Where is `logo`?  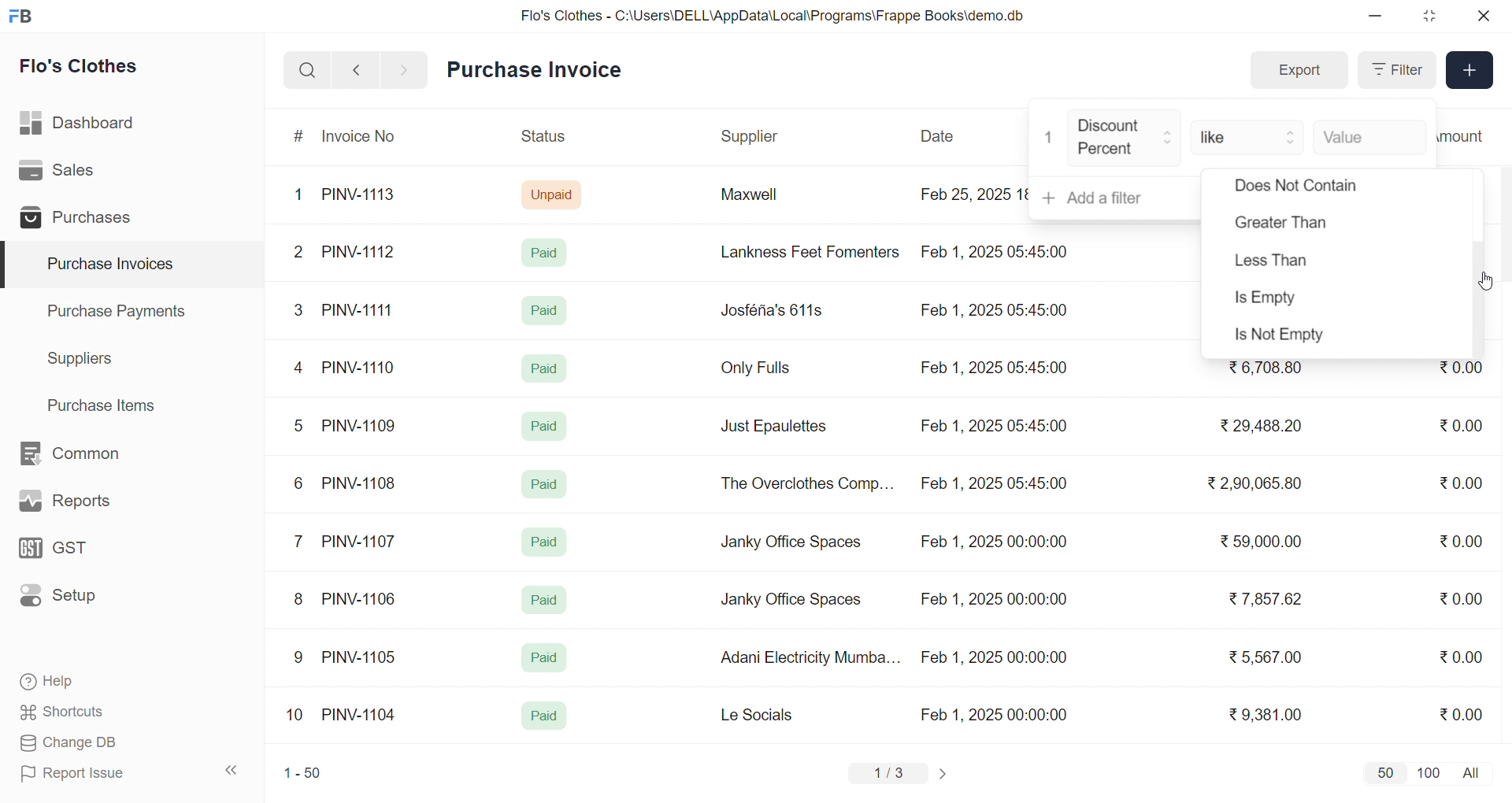
logo is located at coordinates (24, 17).